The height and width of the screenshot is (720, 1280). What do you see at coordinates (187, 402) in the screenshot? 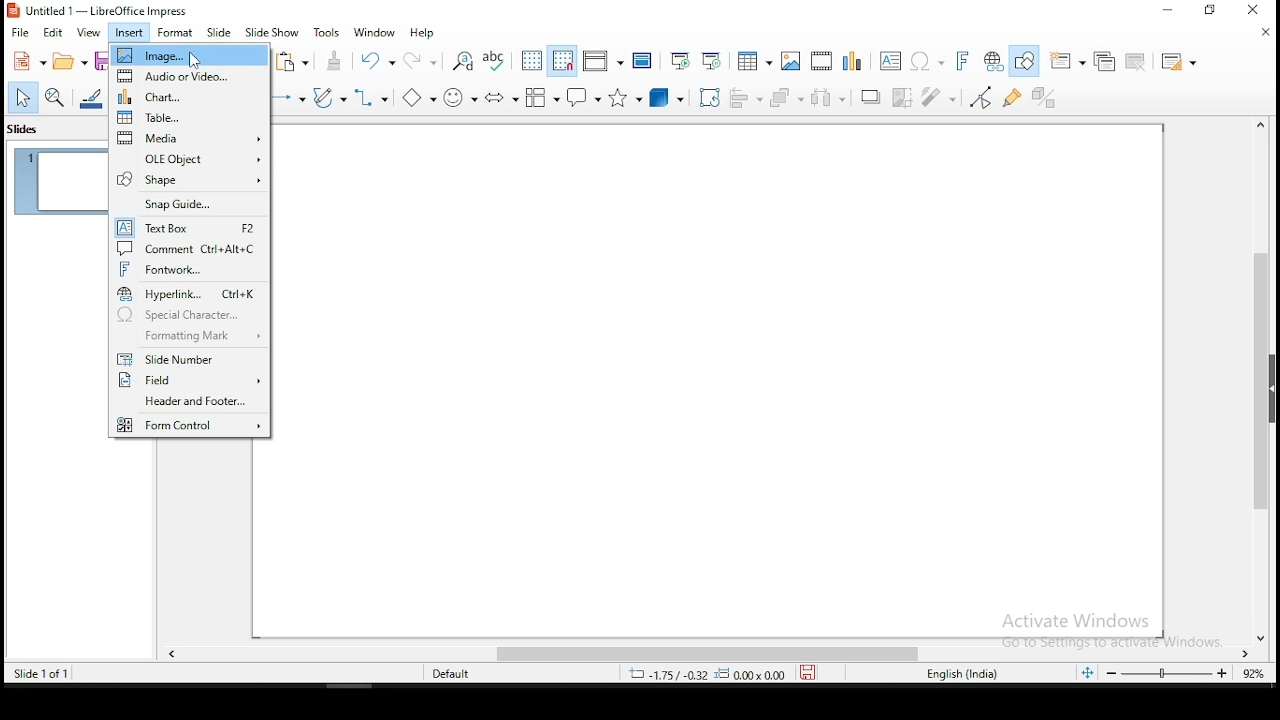
I see `header and footer` at bounding box center [187, 402].